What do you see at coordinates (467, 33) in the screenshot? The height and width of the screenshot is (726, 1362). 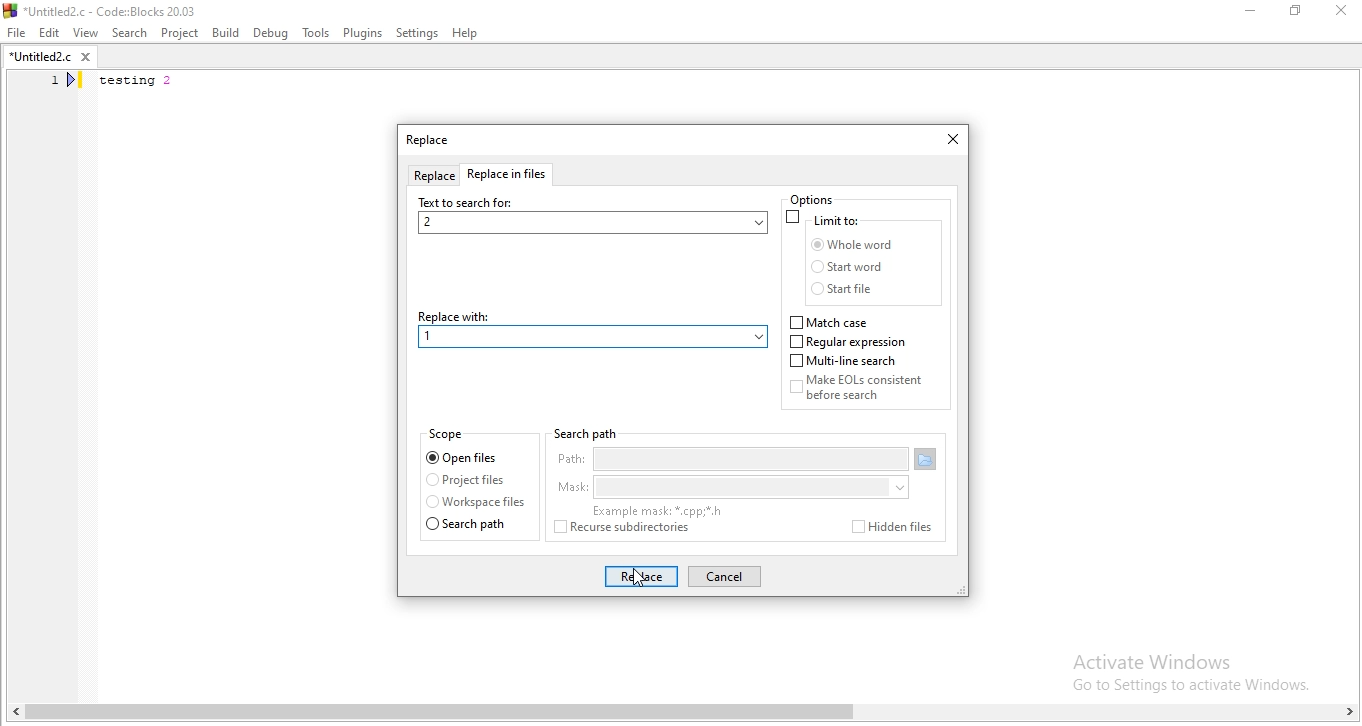 I see `Help` at bounding box center [467, 33].